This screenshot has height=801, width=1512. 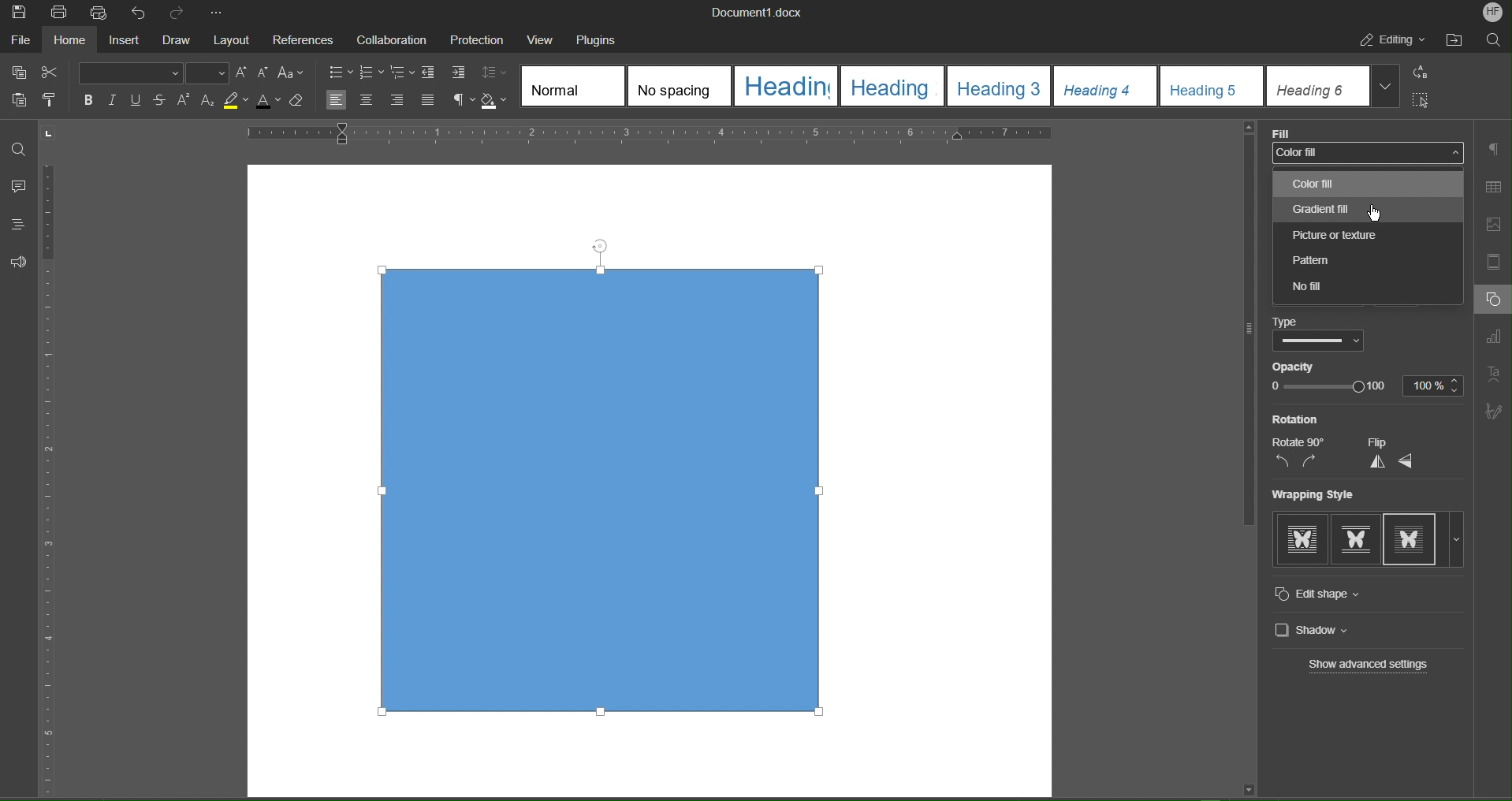 I want to click on Vertical ruler, so click(x=60, y=463).